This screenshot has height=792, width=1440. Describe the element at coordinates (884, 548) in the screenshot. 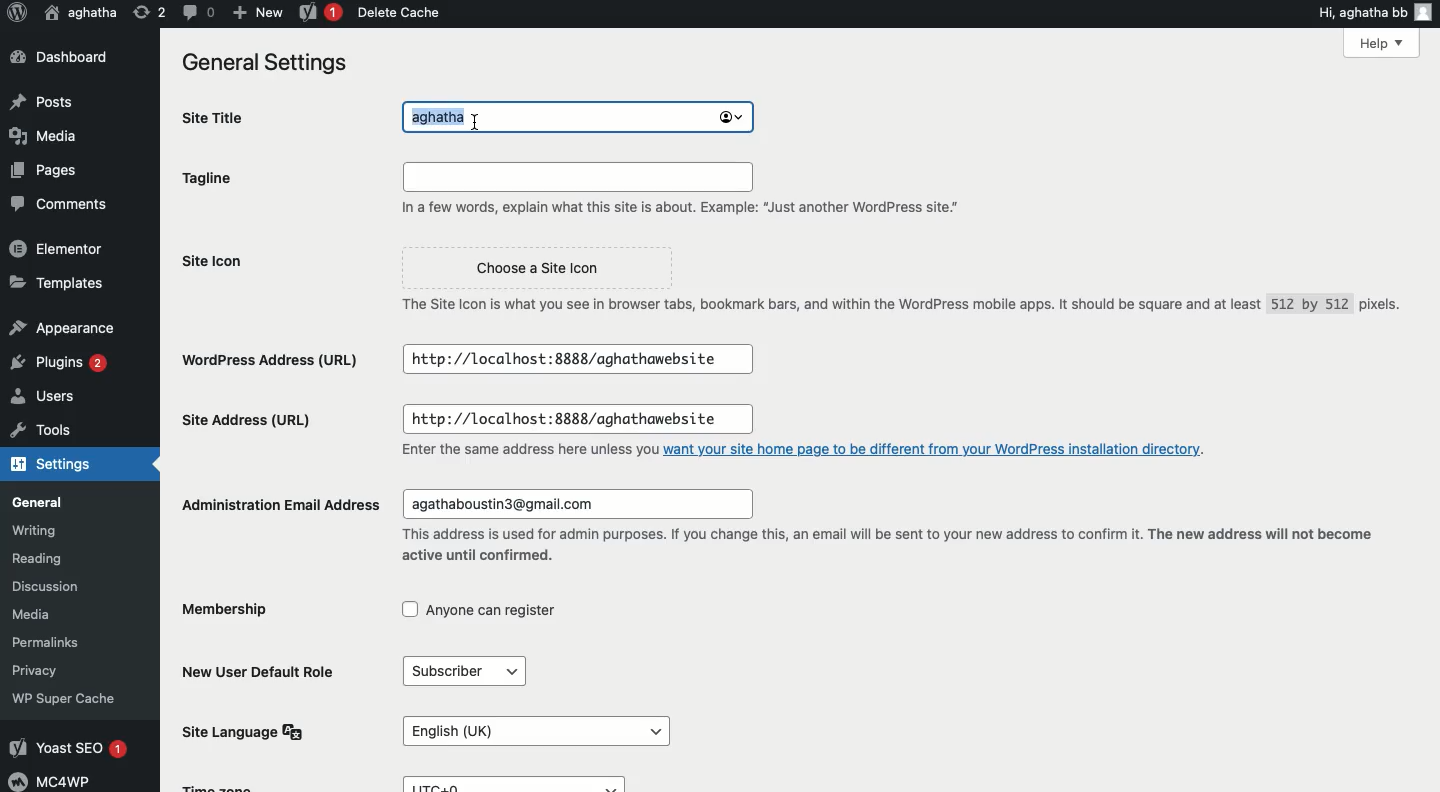

I see `This address is used for admin purposes. If you change this, an email will be sent to your new address to confirm it. The new address will not become
active until confirmed.` at that location.